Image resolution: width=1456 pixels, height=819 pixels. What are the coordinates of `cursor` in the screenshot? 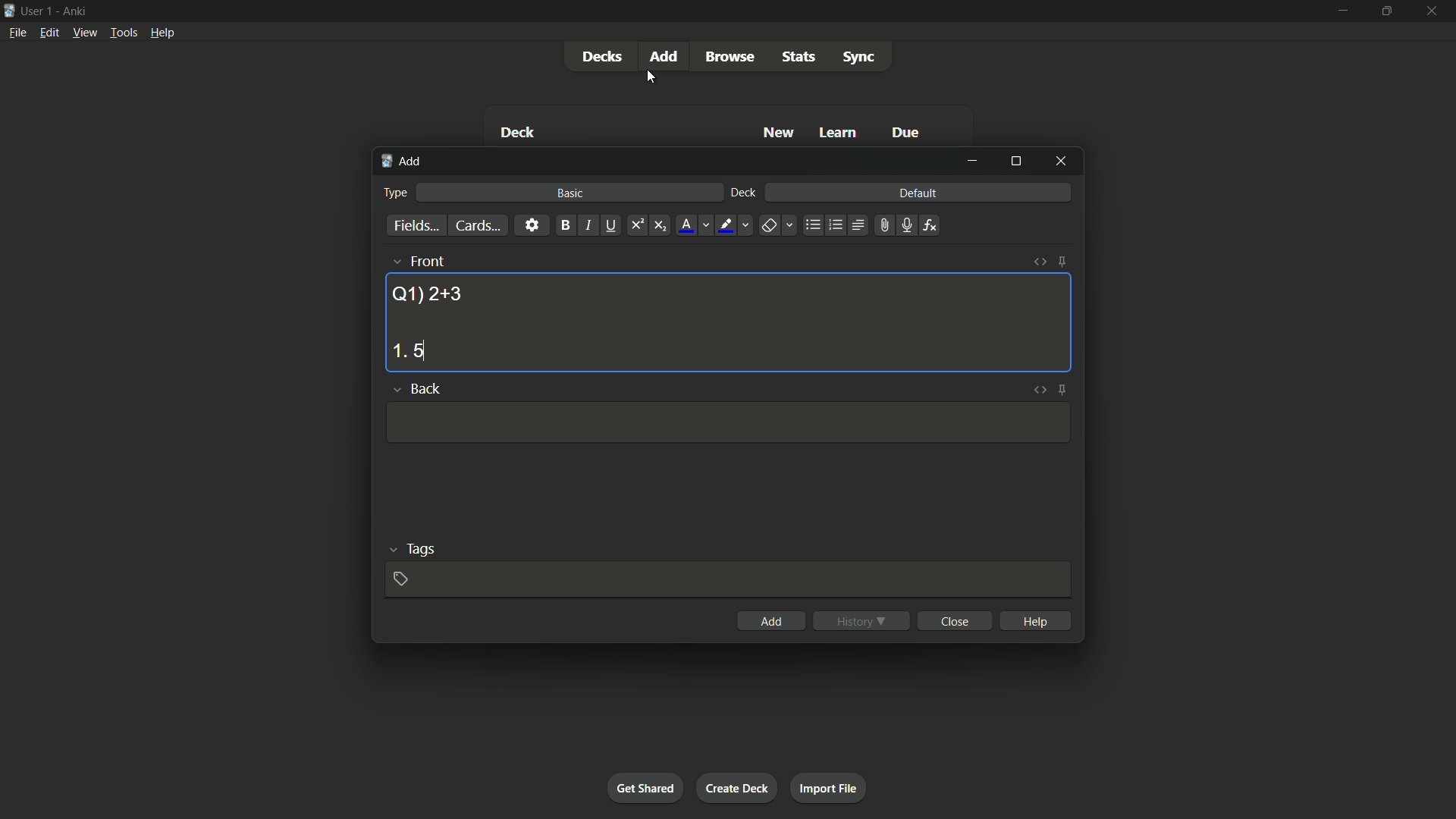 It's located at (649, 76).